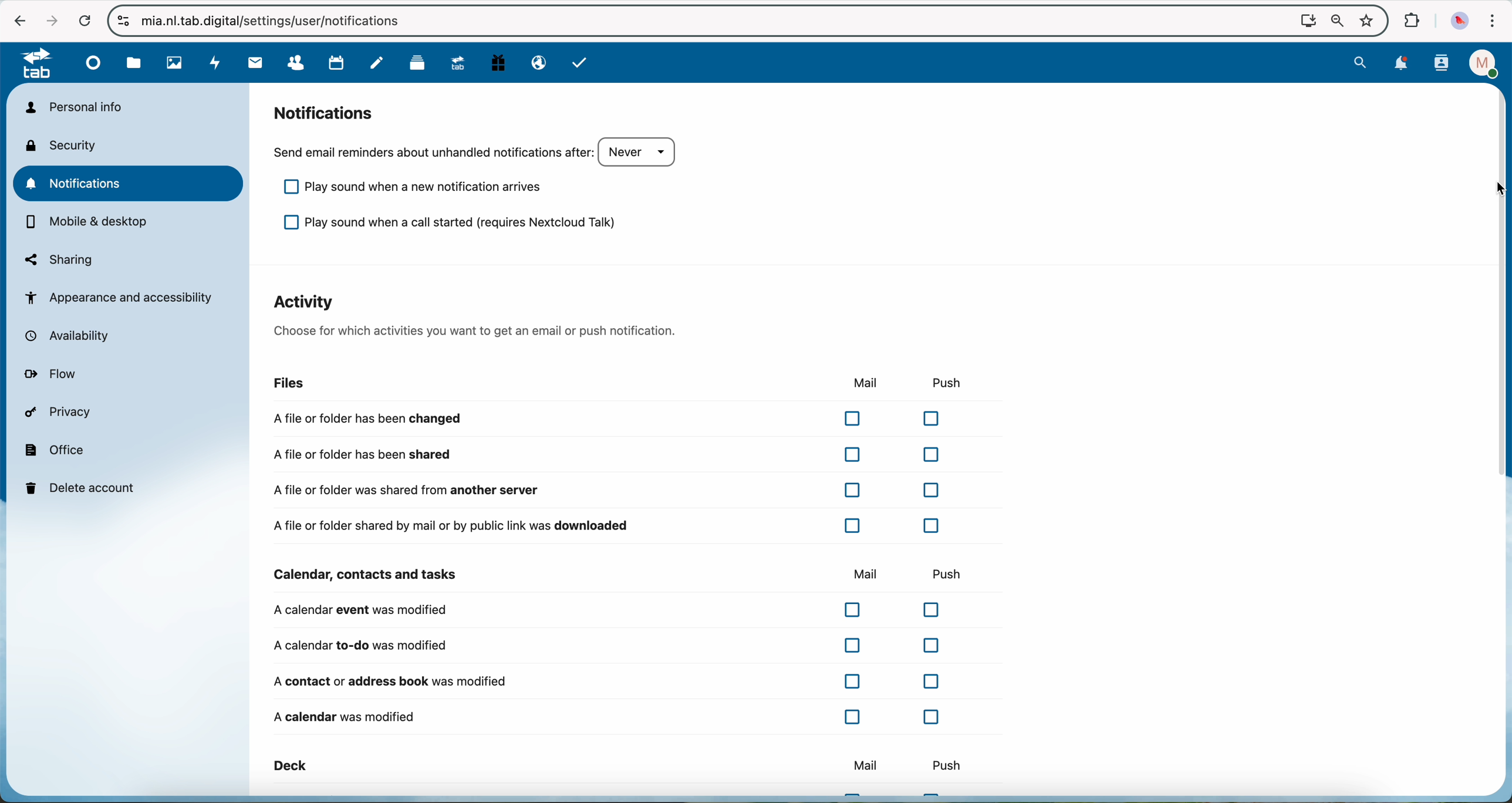 This screenshot has width=1512, height=803. Describe the element at coordinates (606, 492) in the screenshot. I see `a file or folder was shared from another server` at that location.